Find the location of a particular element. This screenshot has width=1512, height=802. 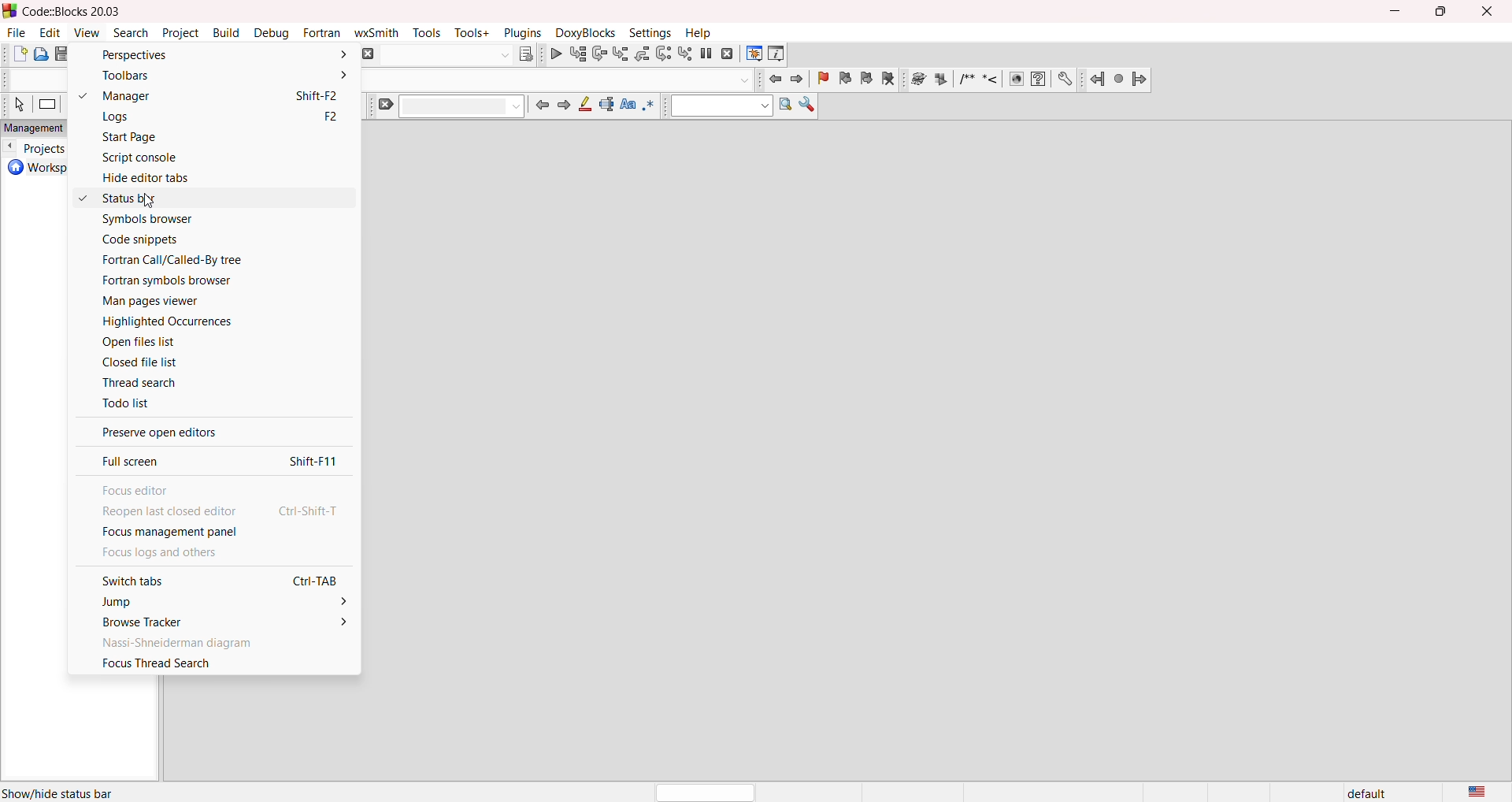

edit is located at coordinates (54, 32).